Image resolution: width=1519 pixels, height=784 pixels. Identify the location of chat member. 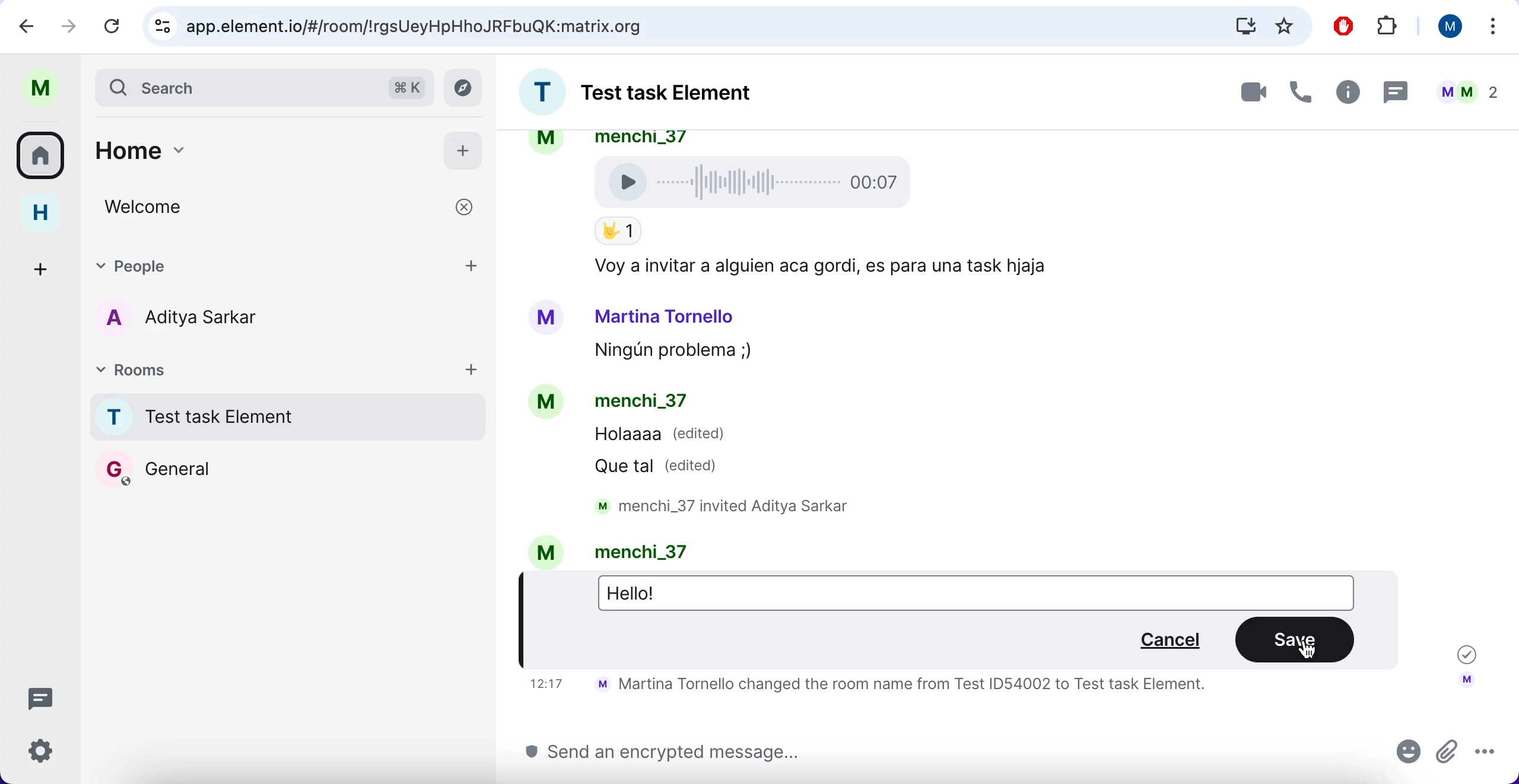
(191, 318).